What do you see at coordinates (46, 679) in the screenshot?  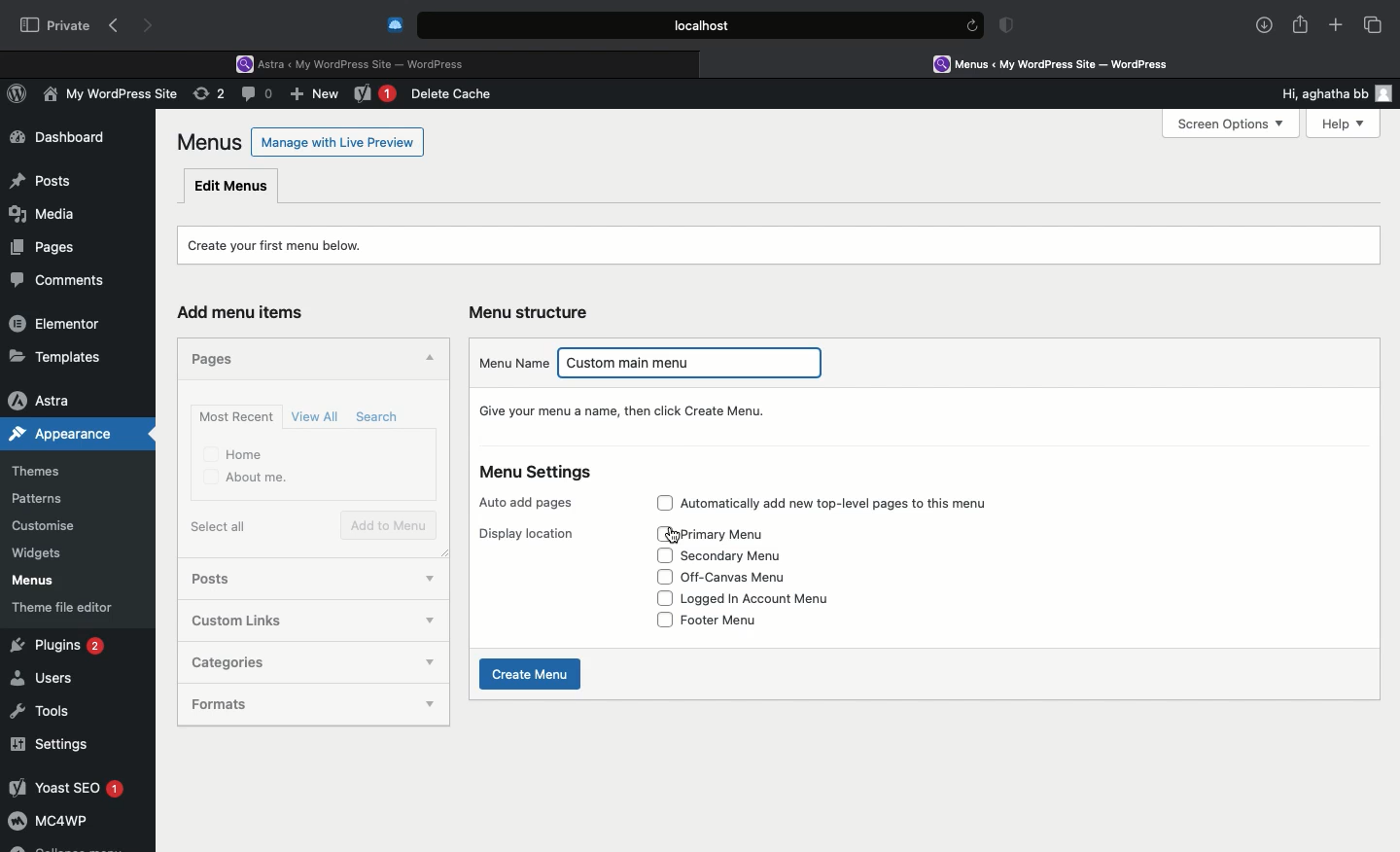 I see `Users` at bounding box center [46, 679].